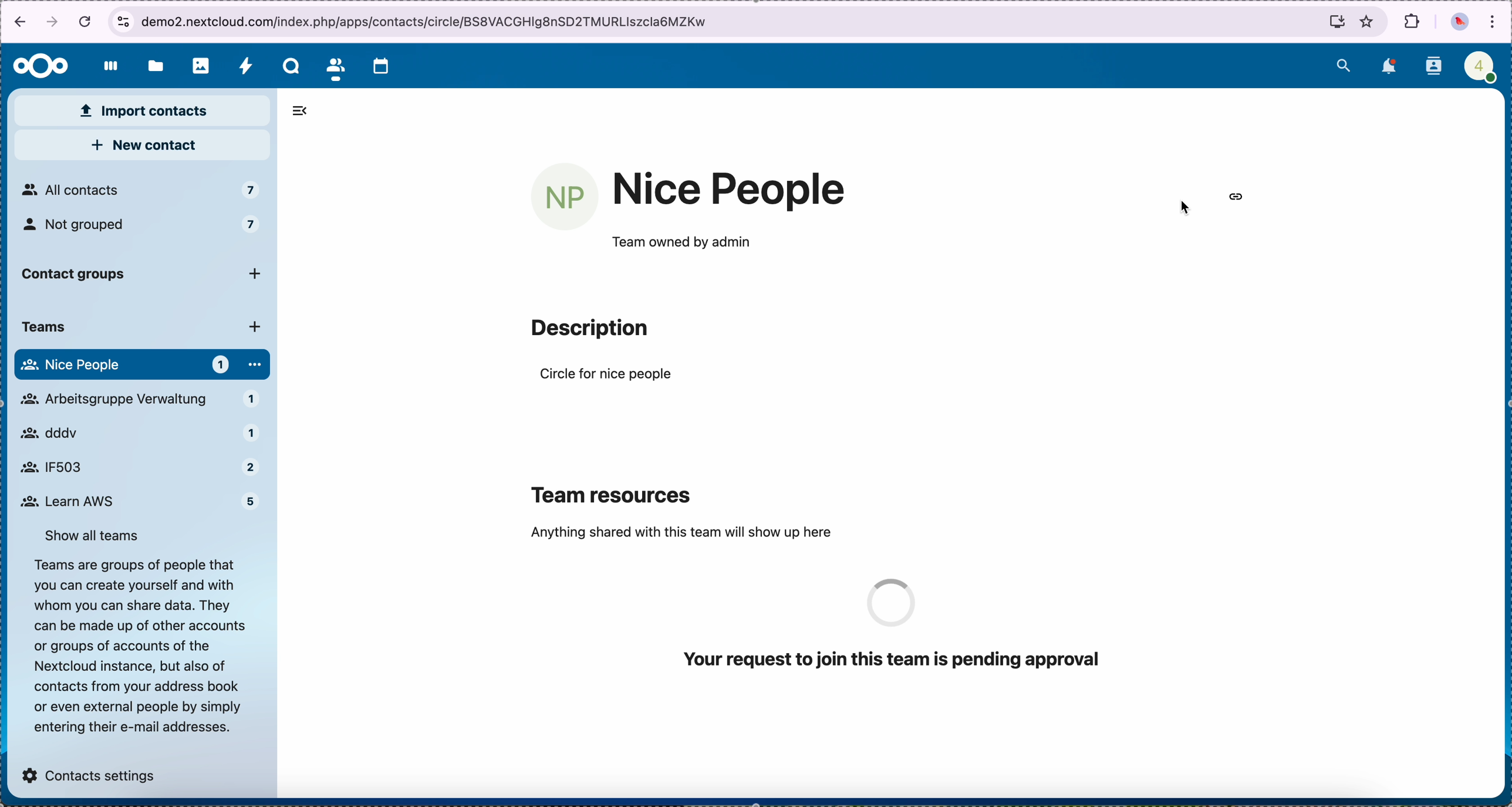  I want to click on not grouped, so click(144, 229).